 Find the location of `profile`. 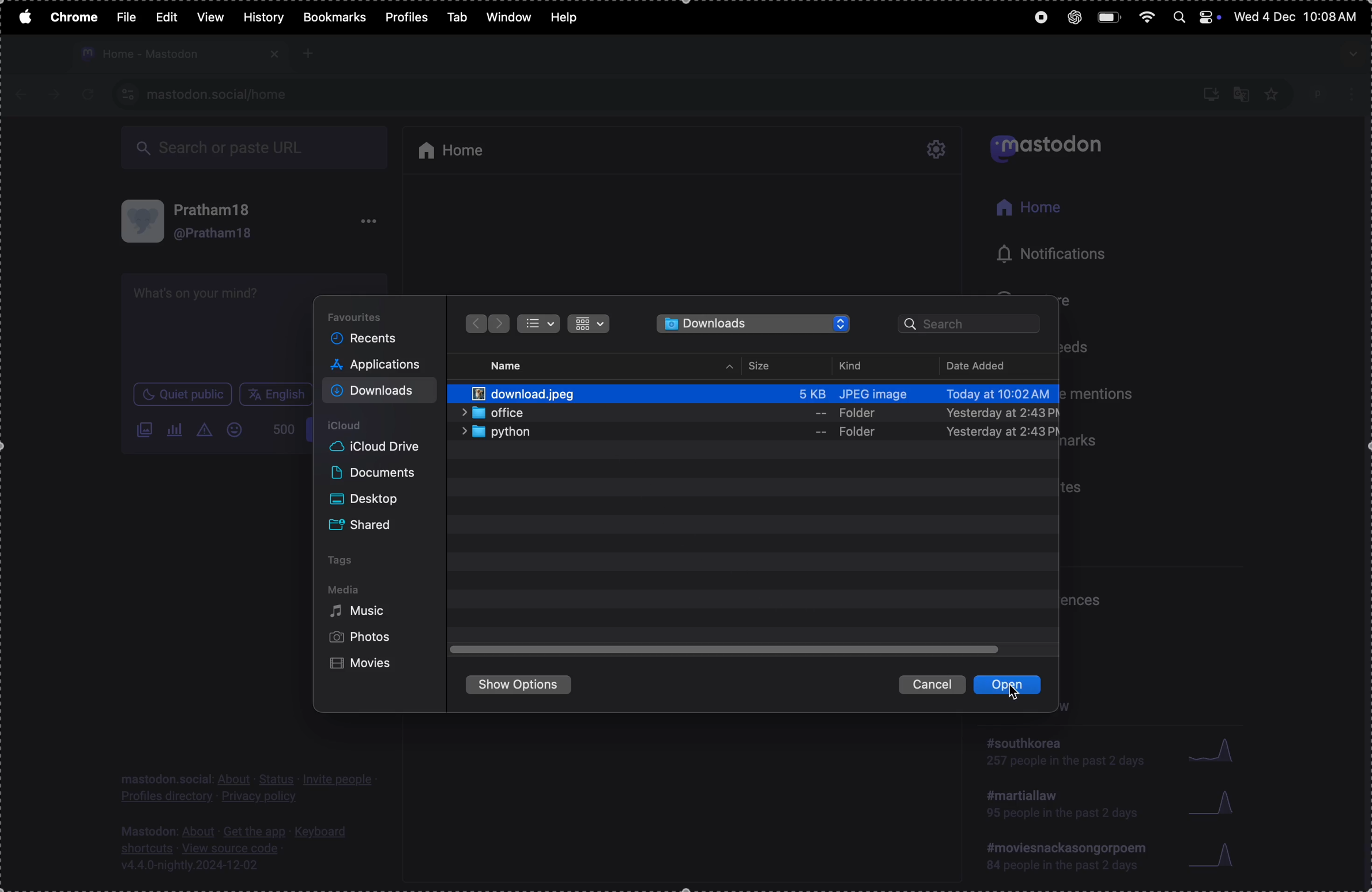

profile is located at coordinates (1335, 92).